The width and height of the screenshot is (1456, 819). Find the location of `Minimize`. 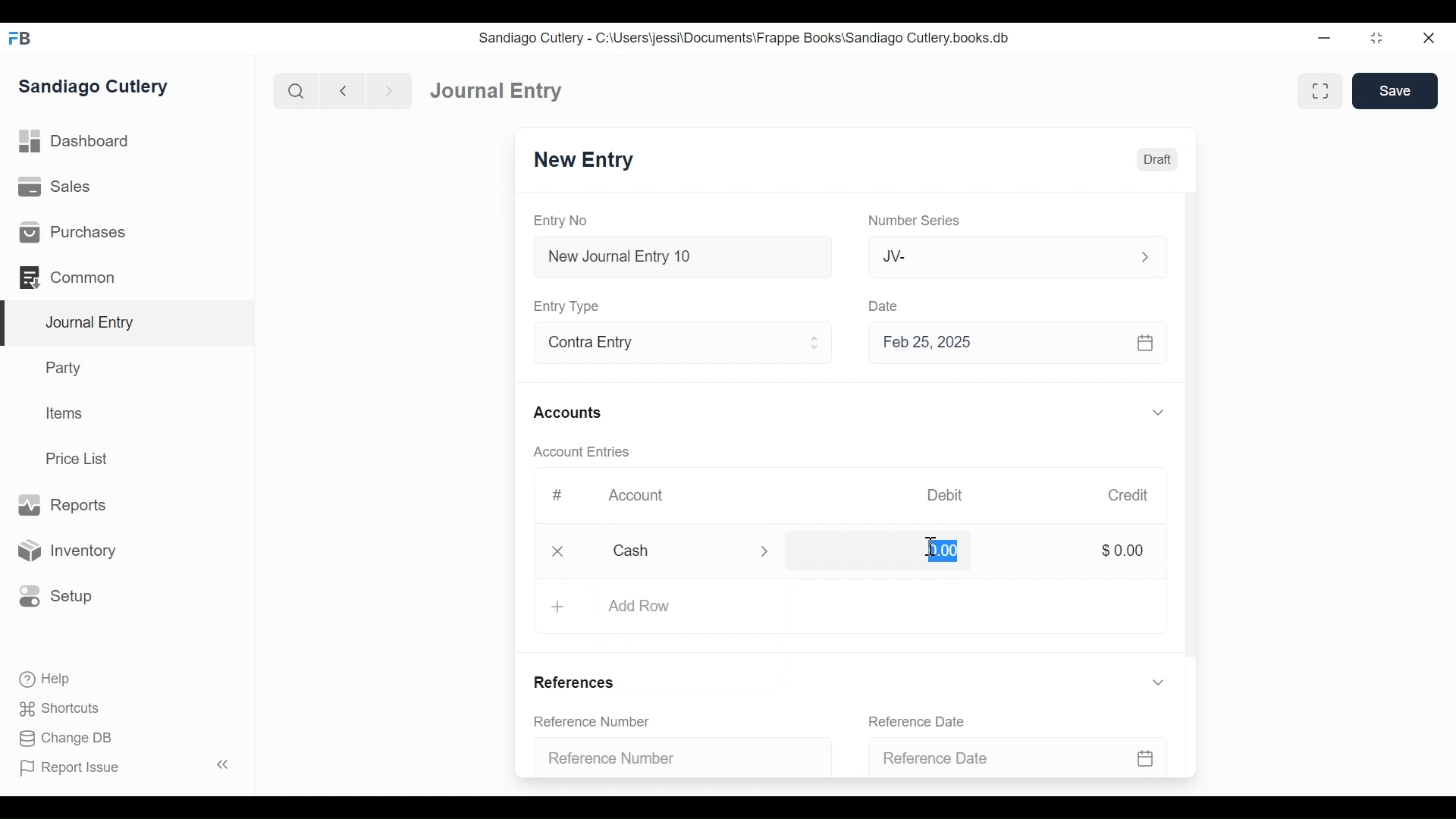

Minimize is located at coordinates (1326, 39).